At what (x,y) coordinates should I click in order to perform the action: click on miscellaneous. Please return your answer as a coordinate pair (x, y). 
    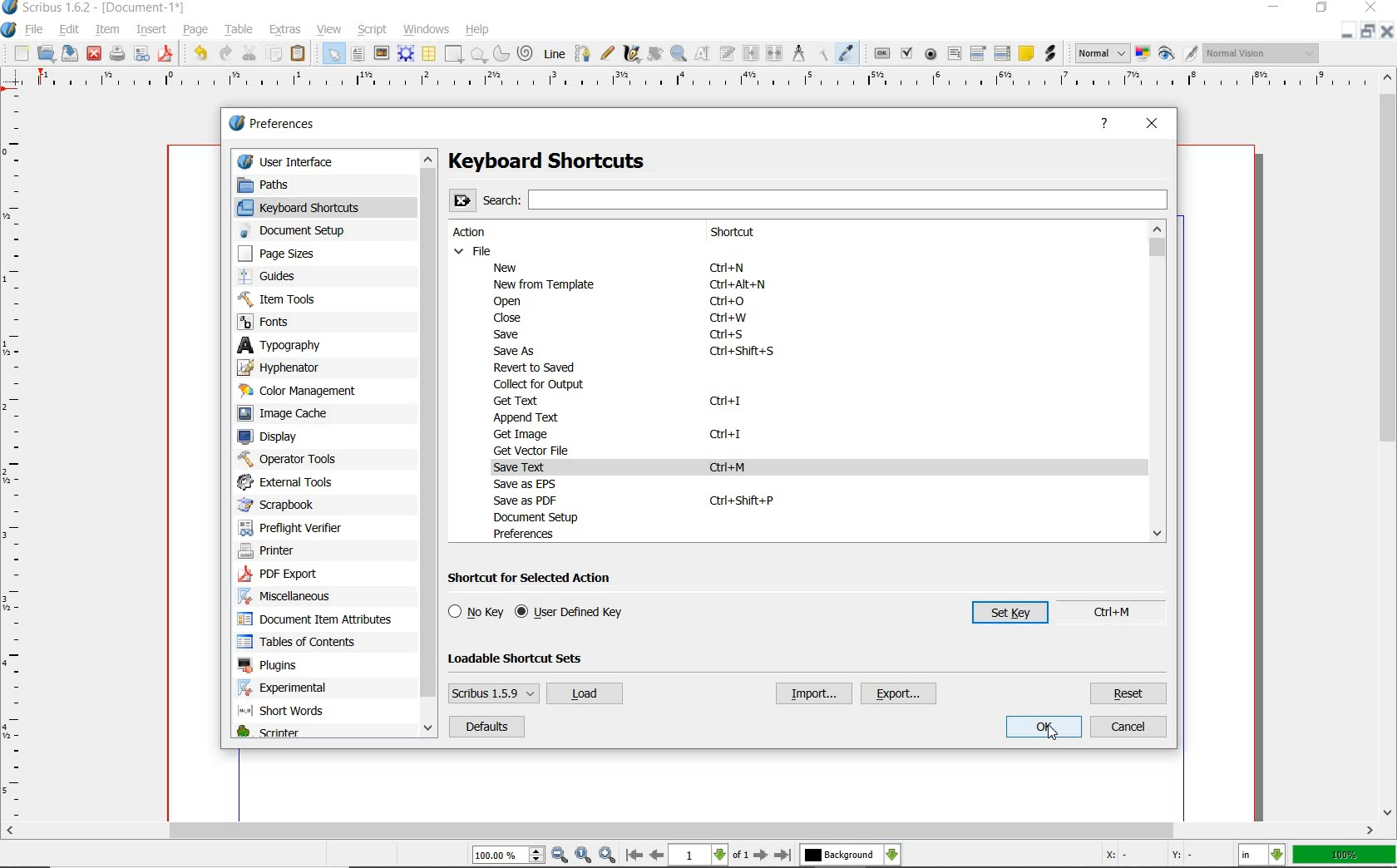
    Looking at the image, I should click on (292, 599).